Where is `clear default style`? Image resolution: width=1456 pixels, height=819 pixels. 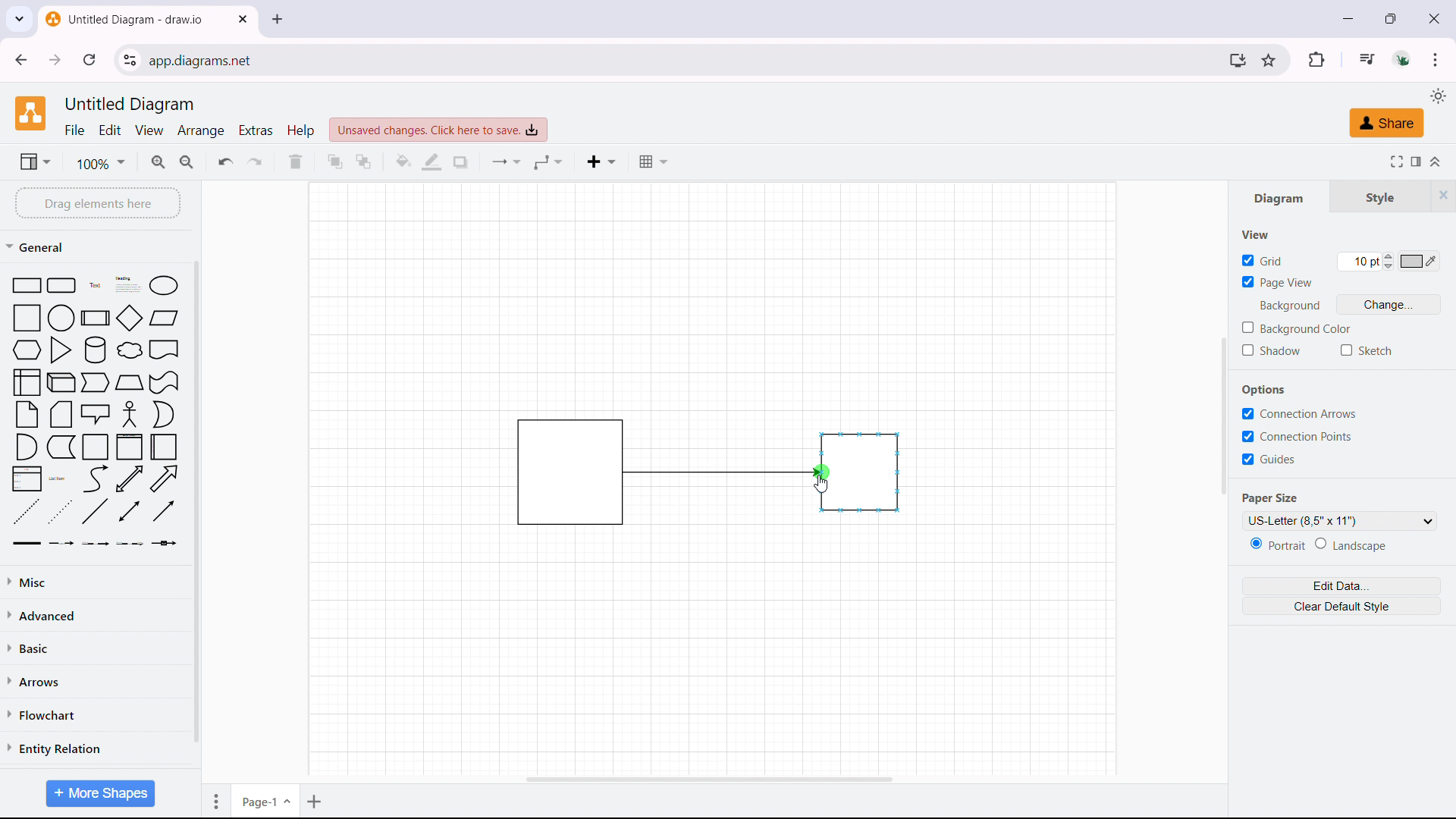
clear default style is located at coordinates (1341, 606).